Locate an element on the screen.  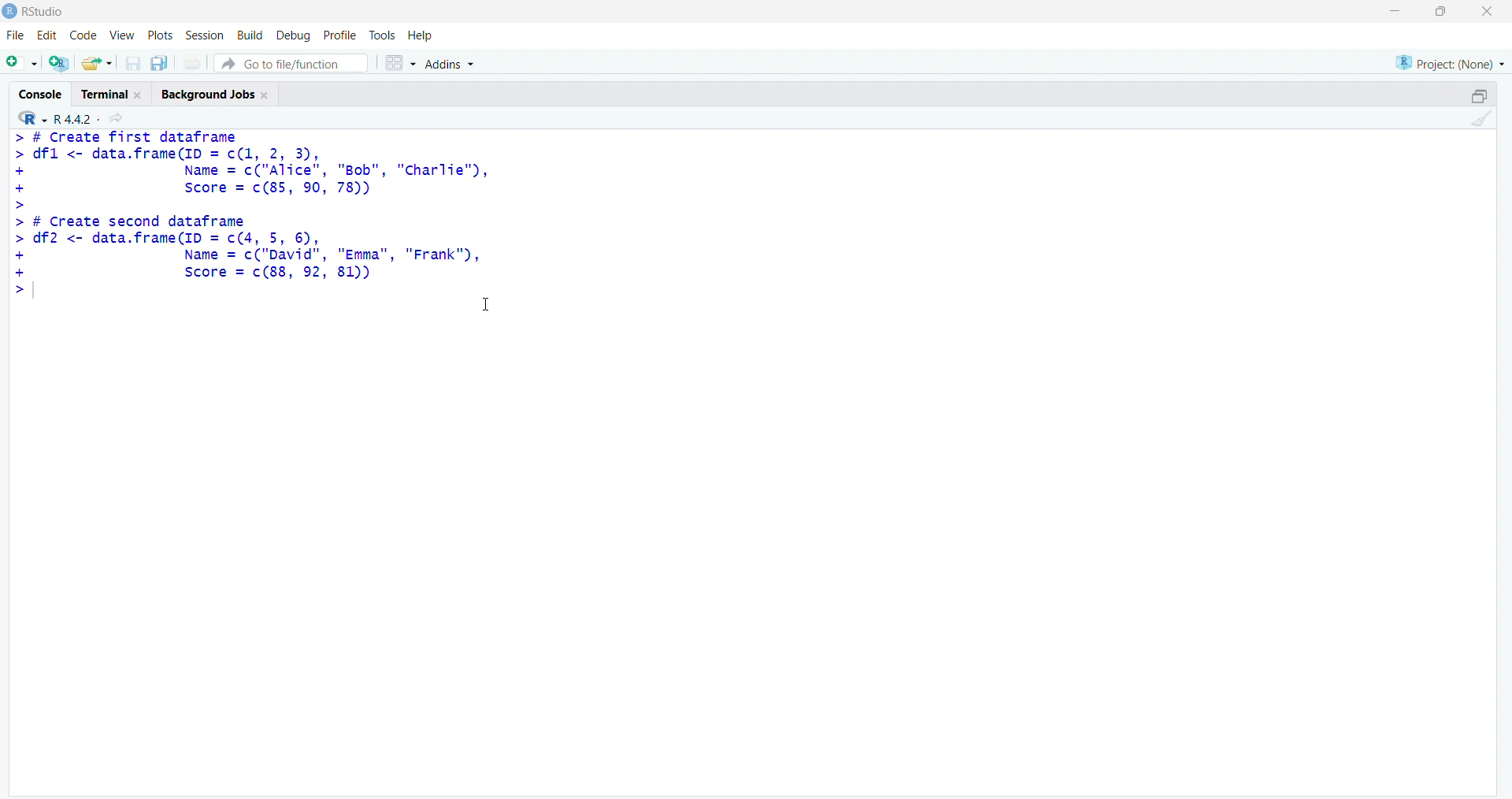
Session is located at coordinates (205, 35).